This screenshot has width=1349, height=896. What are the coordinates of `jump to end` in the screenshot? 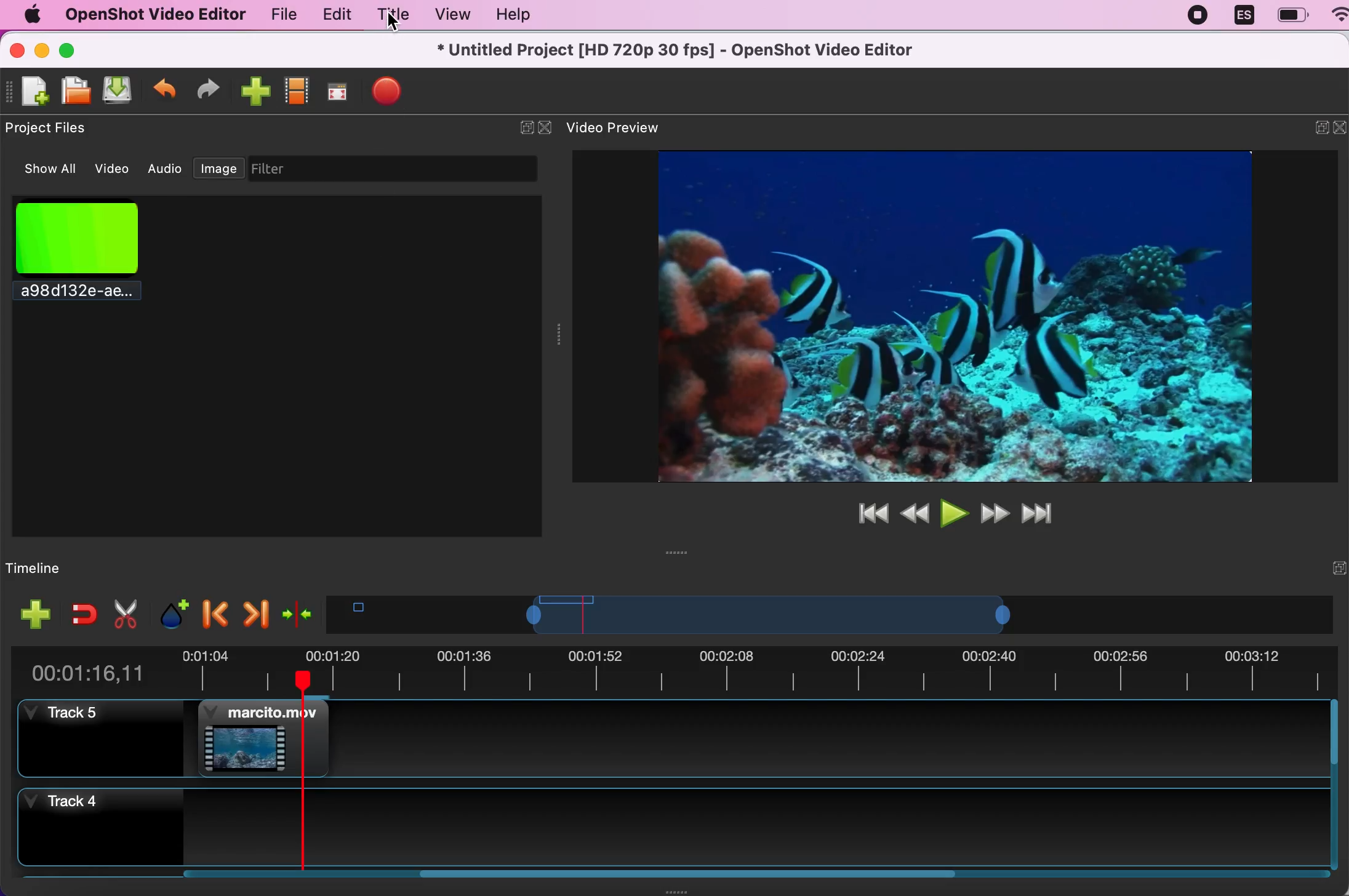 It's located at (1046, 514).